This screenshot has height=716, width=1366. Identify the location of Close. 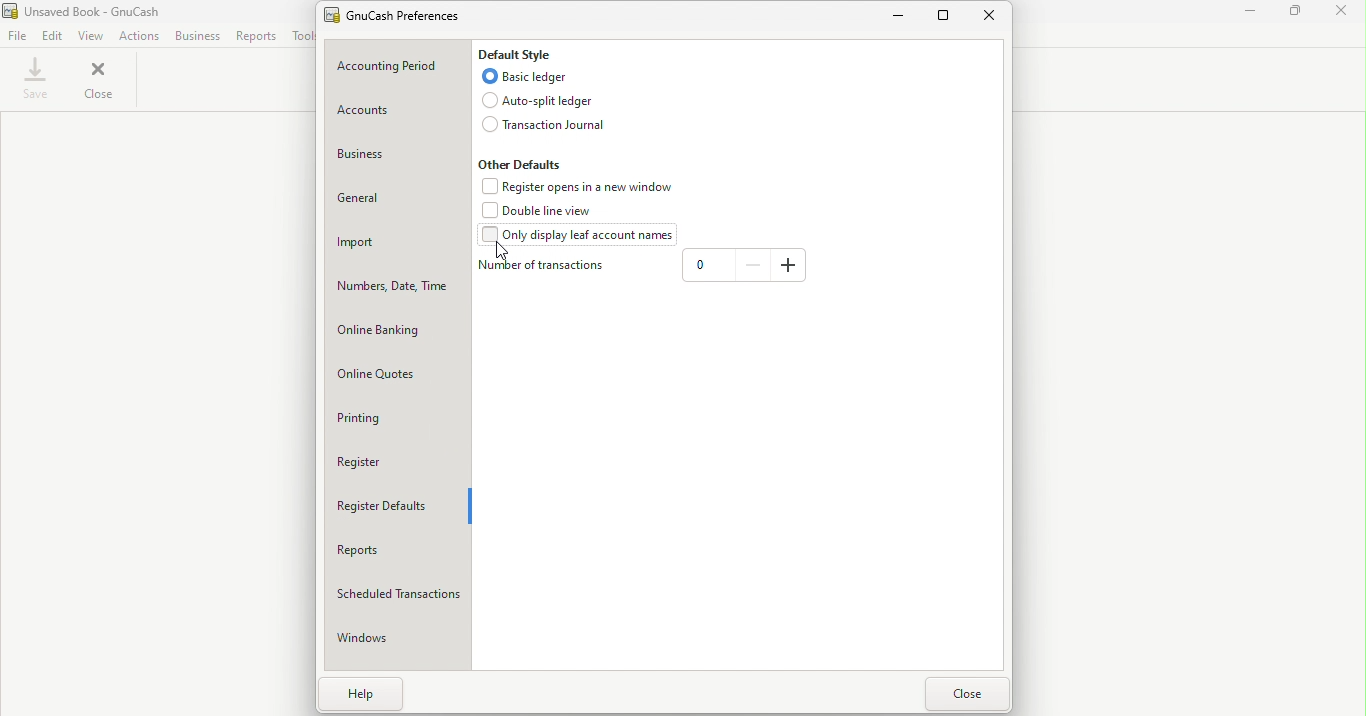
(1346, 14).